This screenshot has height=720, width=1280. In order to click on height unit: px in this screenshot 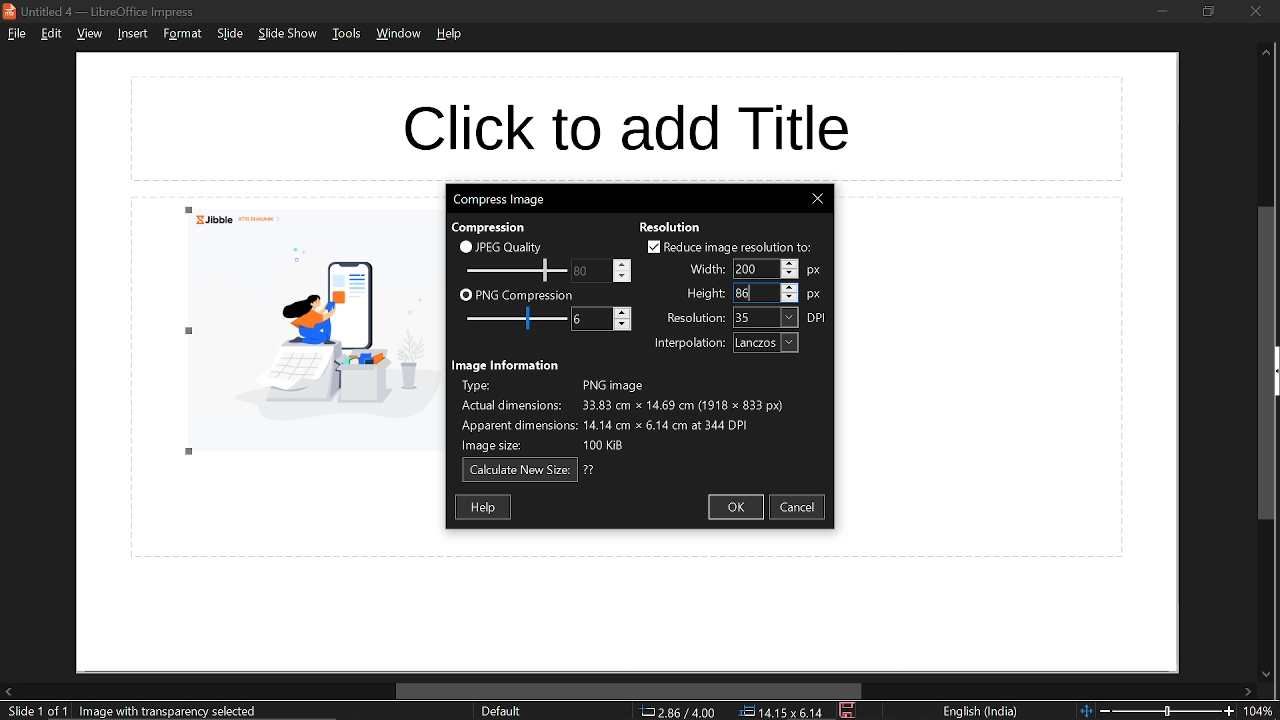, I will do `click(815, 296)`.